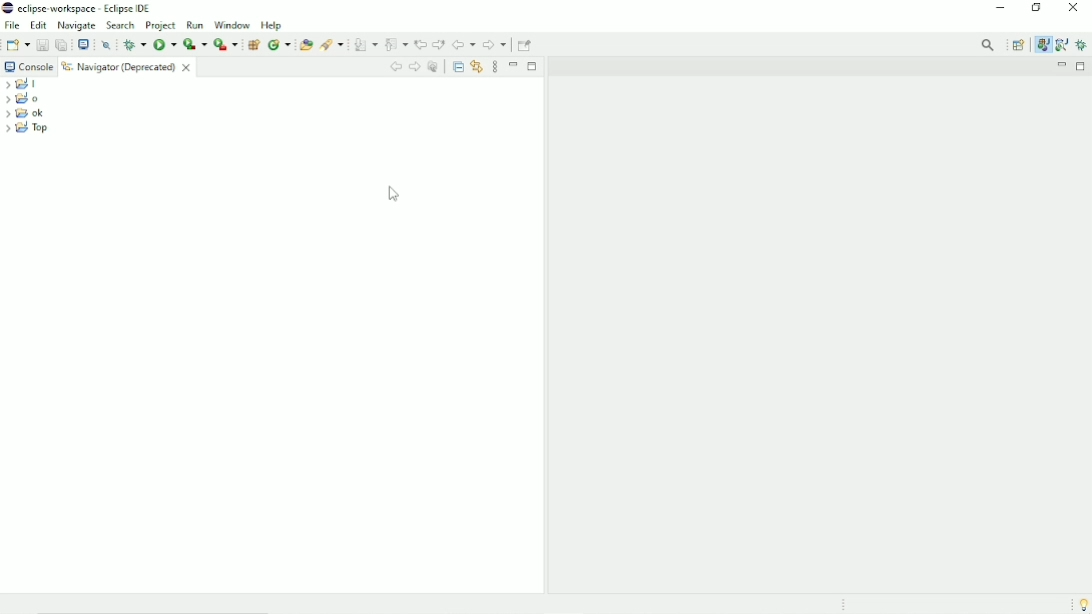 This screenshot has height=614, width=1092. Describe the element at coordinates (1082, 66) in the screenshot. I see `Maximize` at that location.